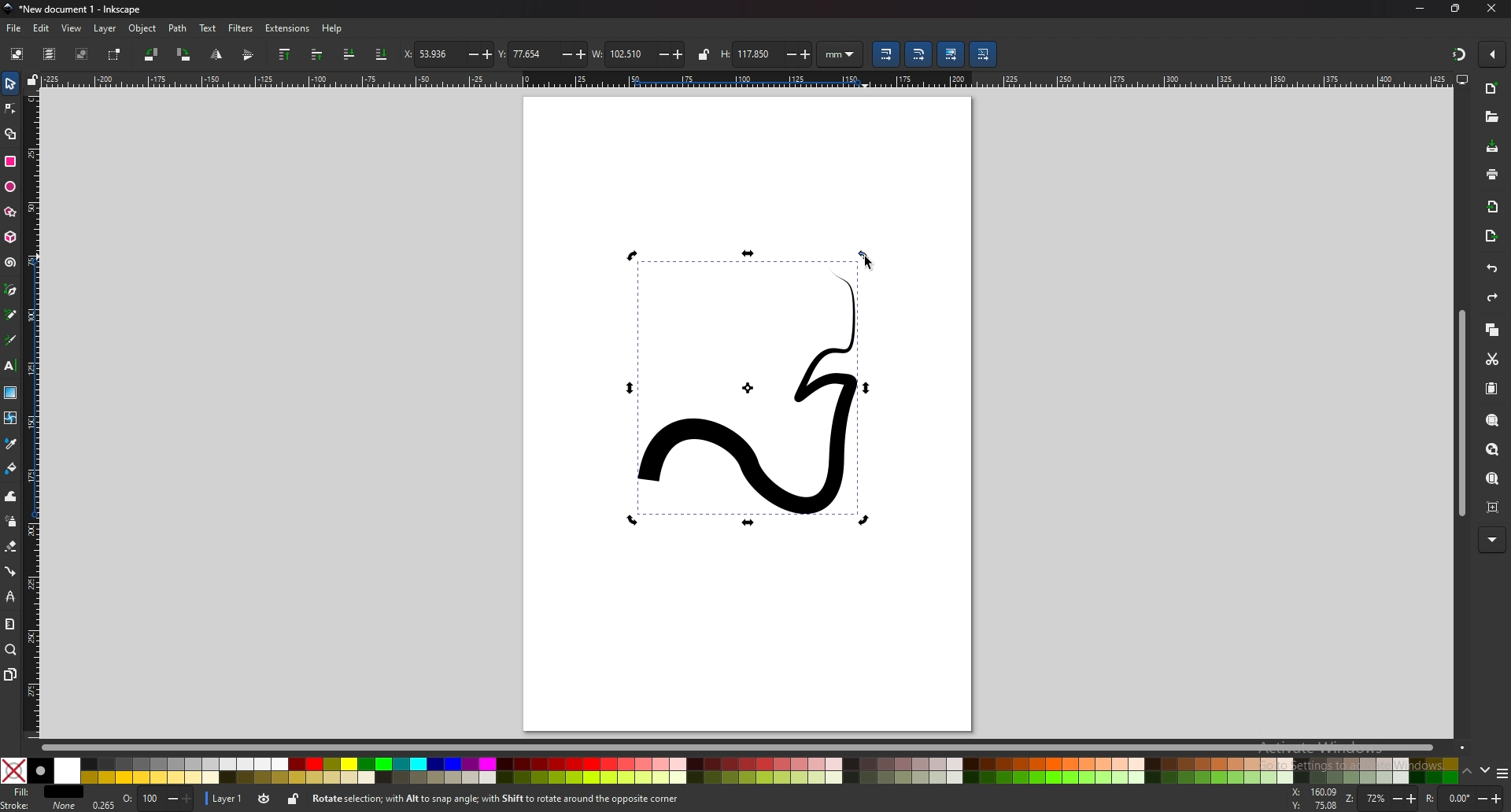 This screenshot has height=812, width=1511. I want to click on opacity, so click(142, 799).